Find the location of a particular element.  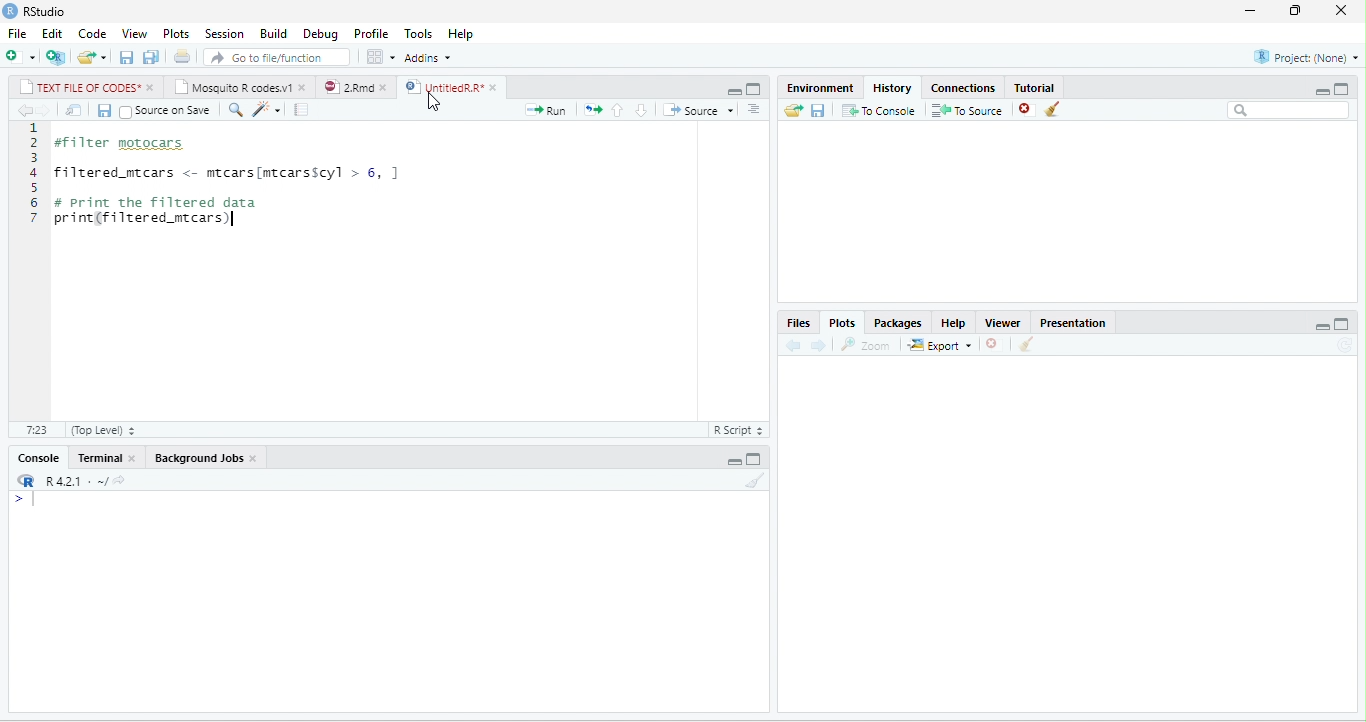

RStudio is located at coordinates (44, 11).